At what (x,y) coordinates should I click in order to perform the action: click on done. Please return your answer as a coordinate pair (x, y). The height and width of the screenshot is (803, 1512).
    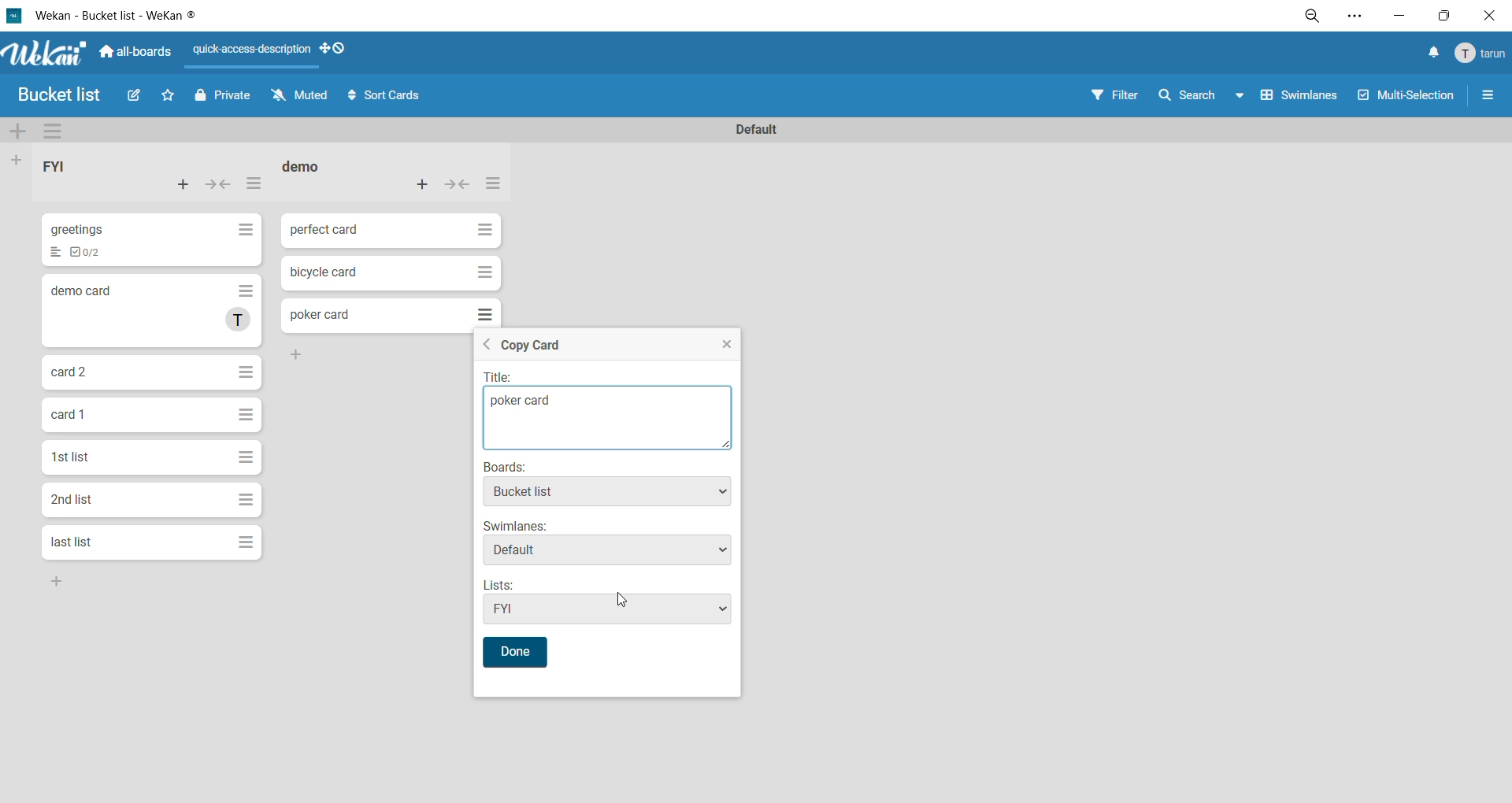
    Looking at the image, I should click on (516, 652).